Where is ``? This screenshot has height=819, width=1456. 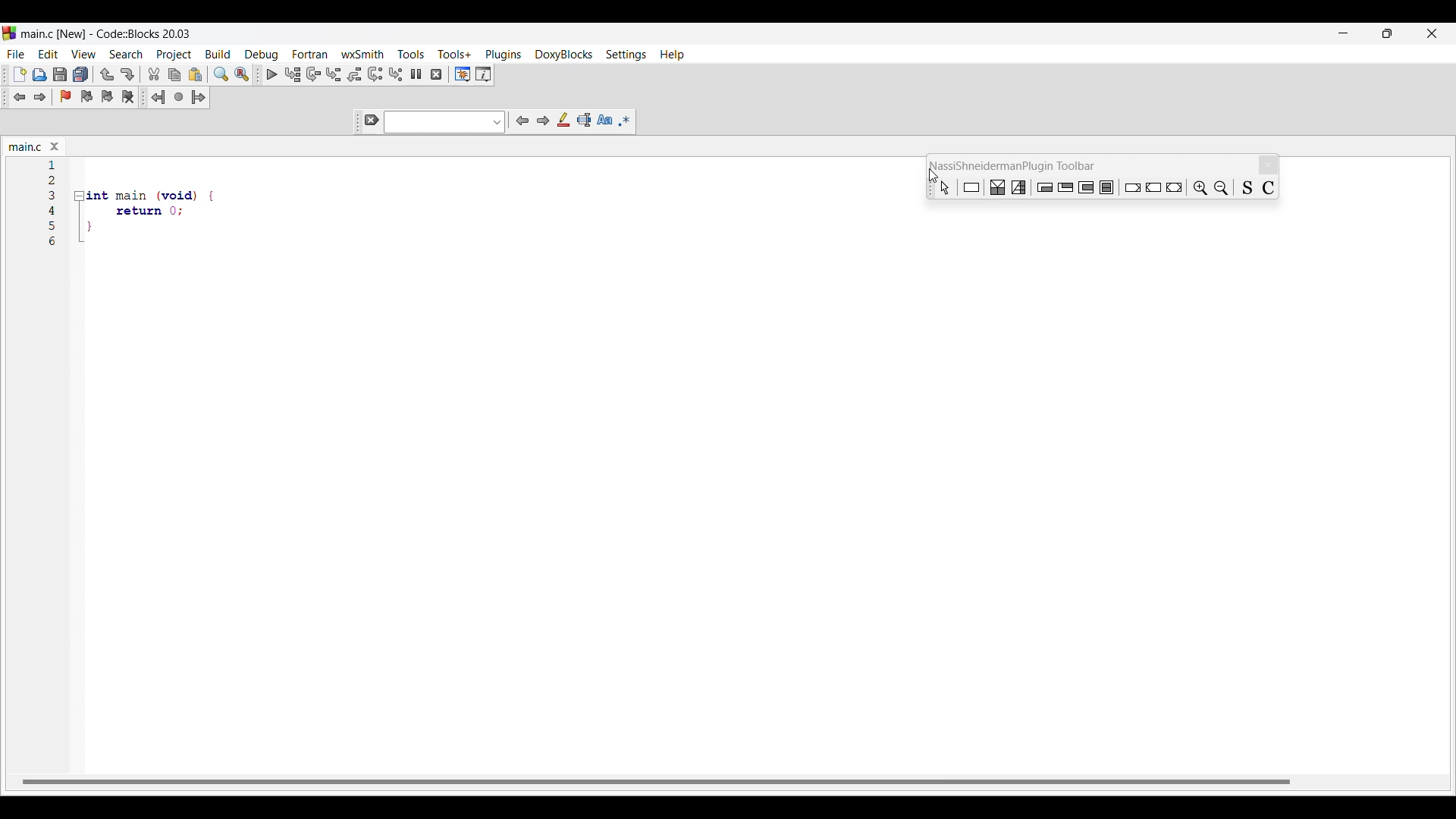  is located at coordinates (1224, 185).